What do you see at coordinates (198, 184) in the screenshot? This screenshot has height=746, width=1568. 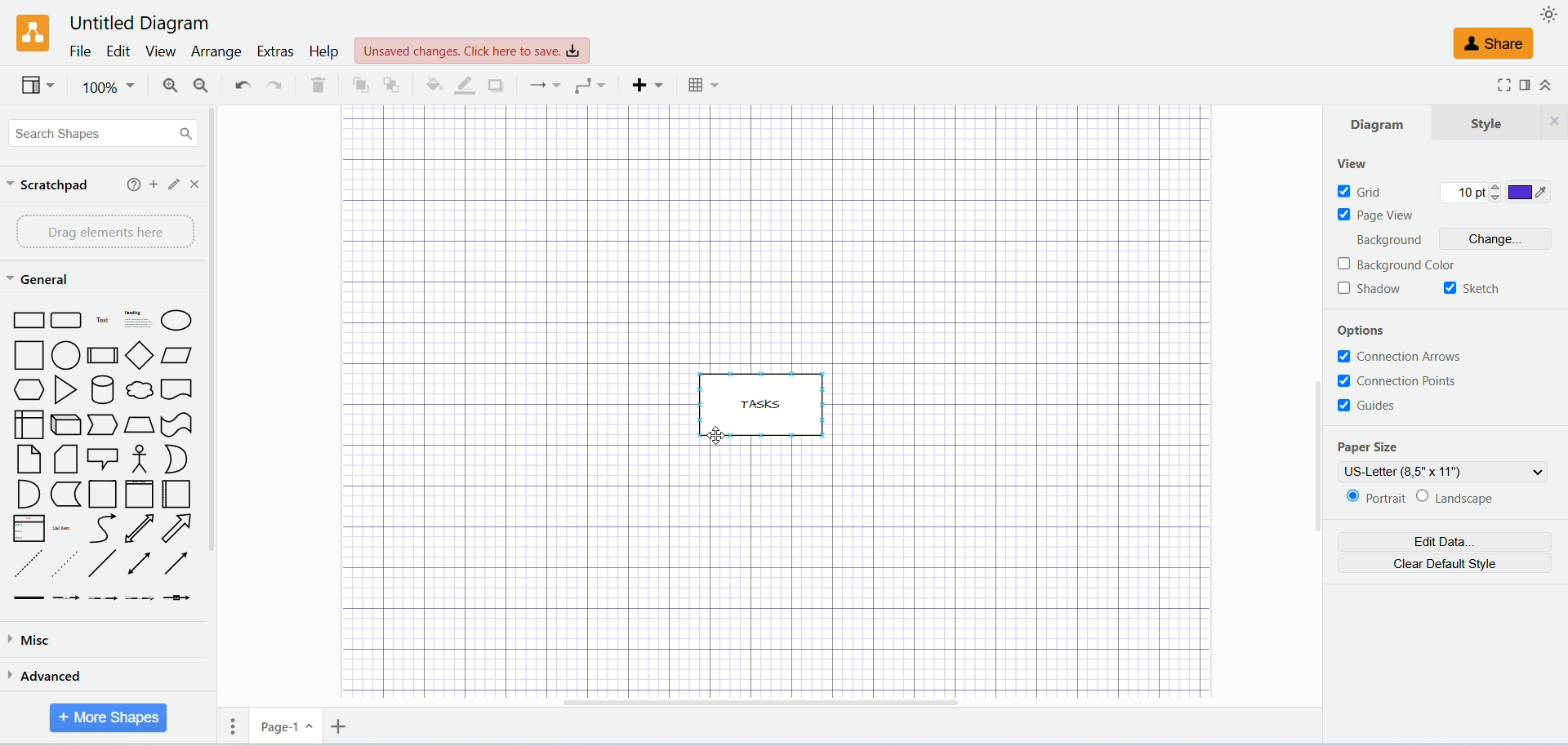 I see `close` at bounding box center [198, 184].